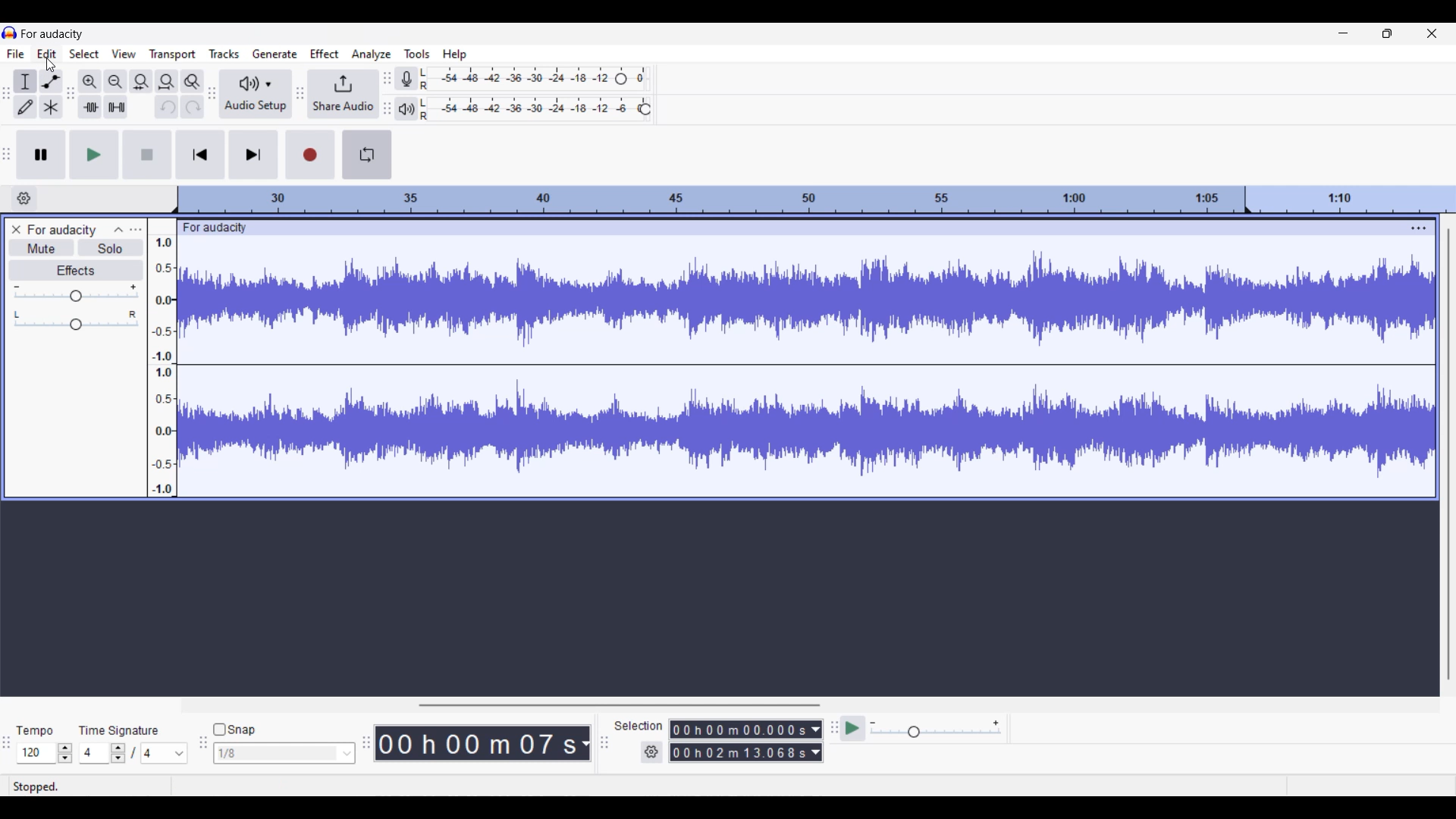 Image resolution: width=1456 pixels, height=819 pixels. What do you see at coordinates (77, 271) in the screenshot?
I see `Effects` at bounding box center [77, 271].